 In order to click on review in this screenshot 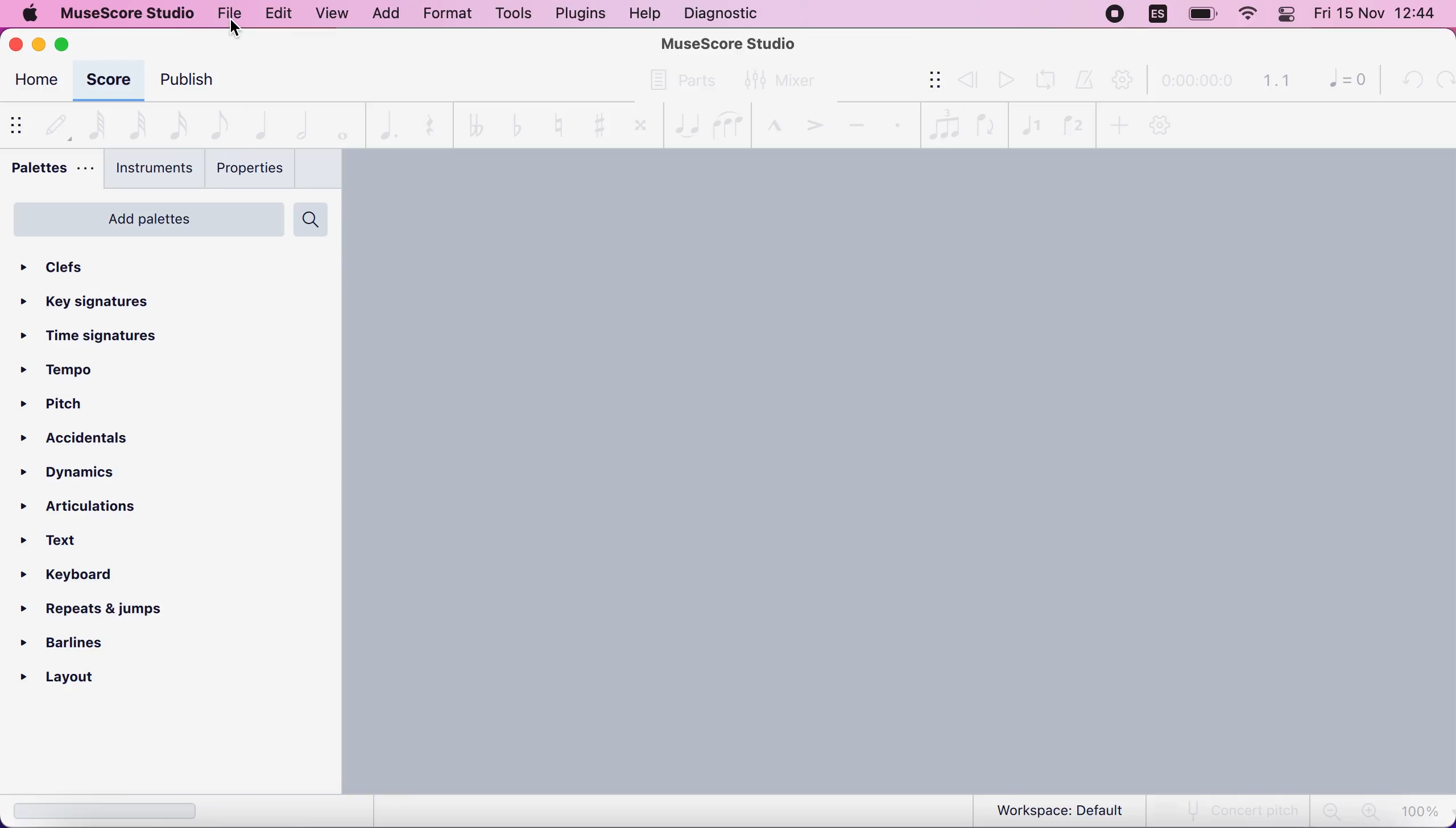, I will do `click(968, 79)`.